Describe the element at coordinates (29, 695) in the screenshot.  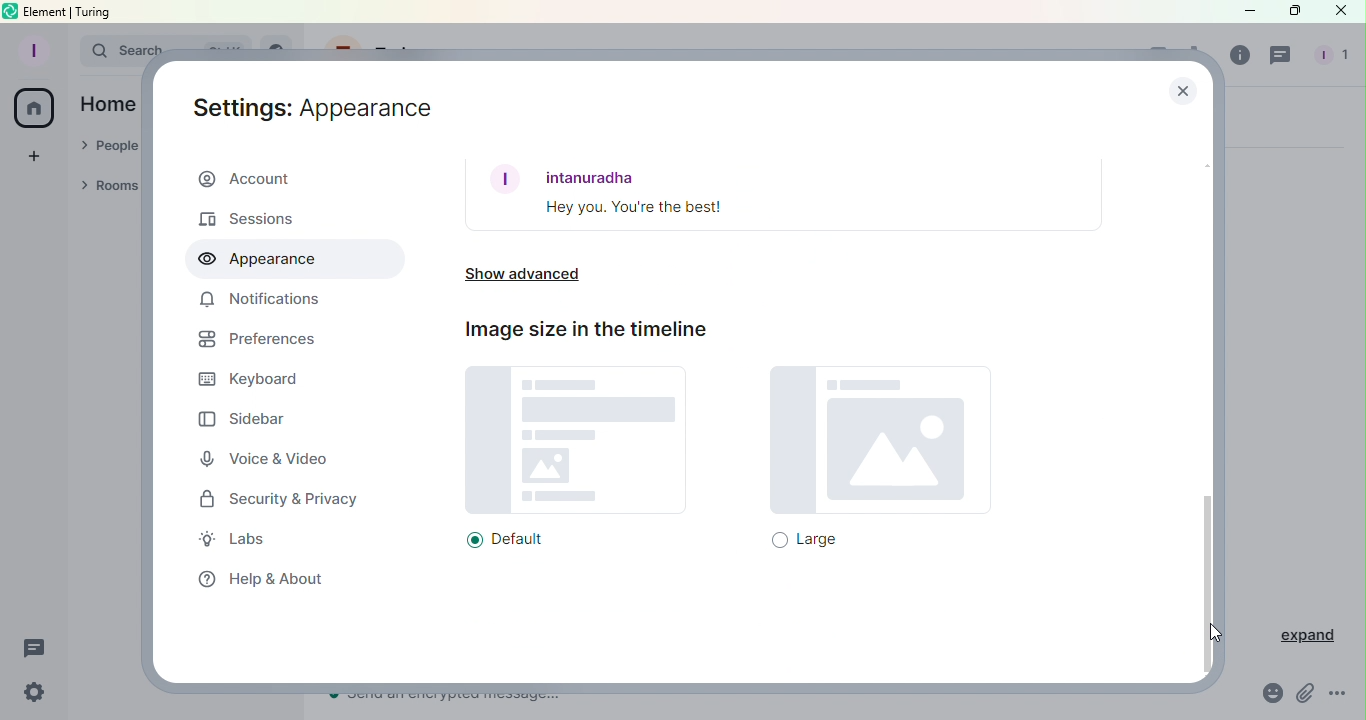
I see `Quick settings` at that location.